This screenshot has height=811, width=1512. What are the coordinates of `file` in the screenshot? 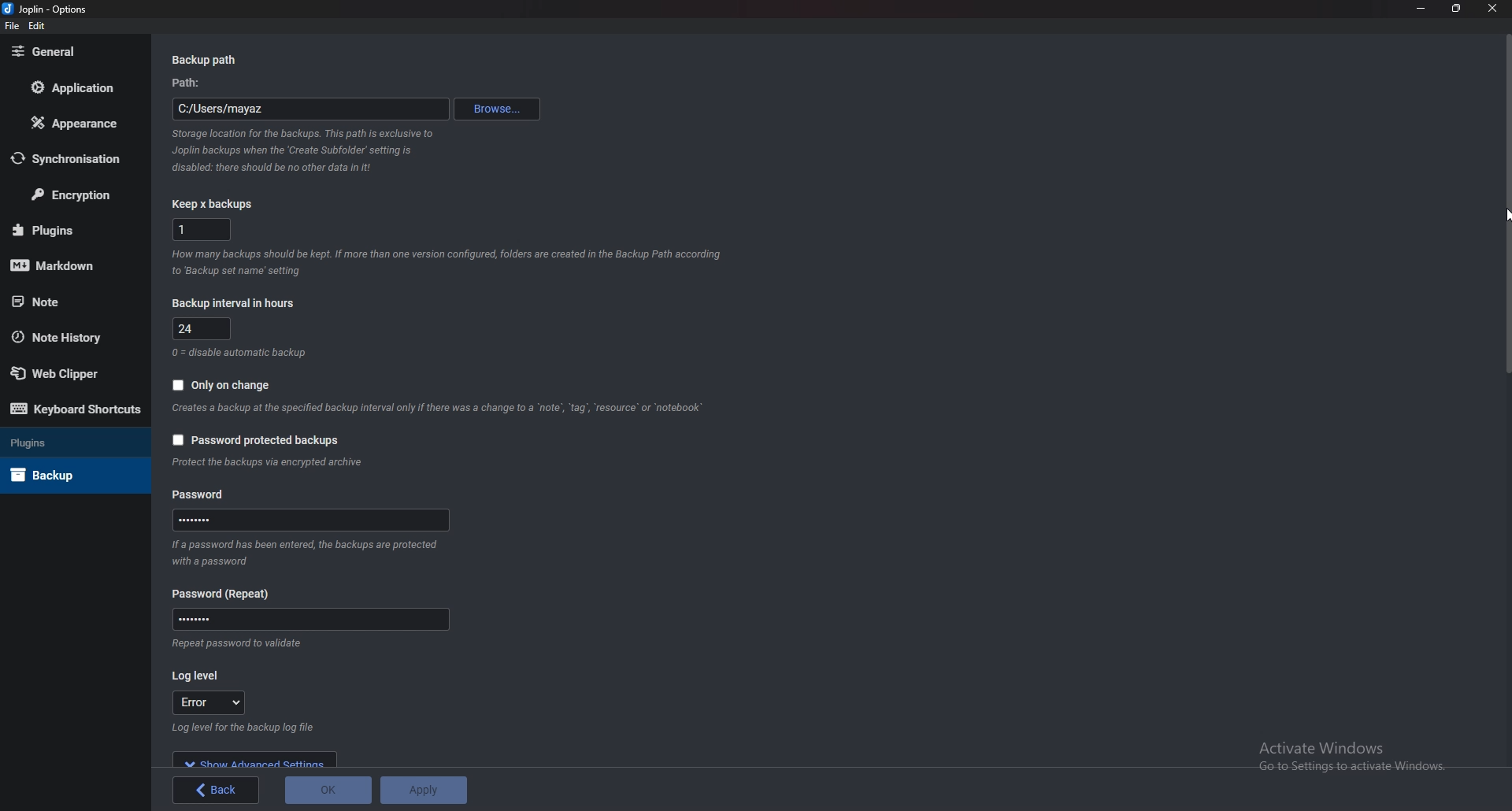 It's located at (13, 26).